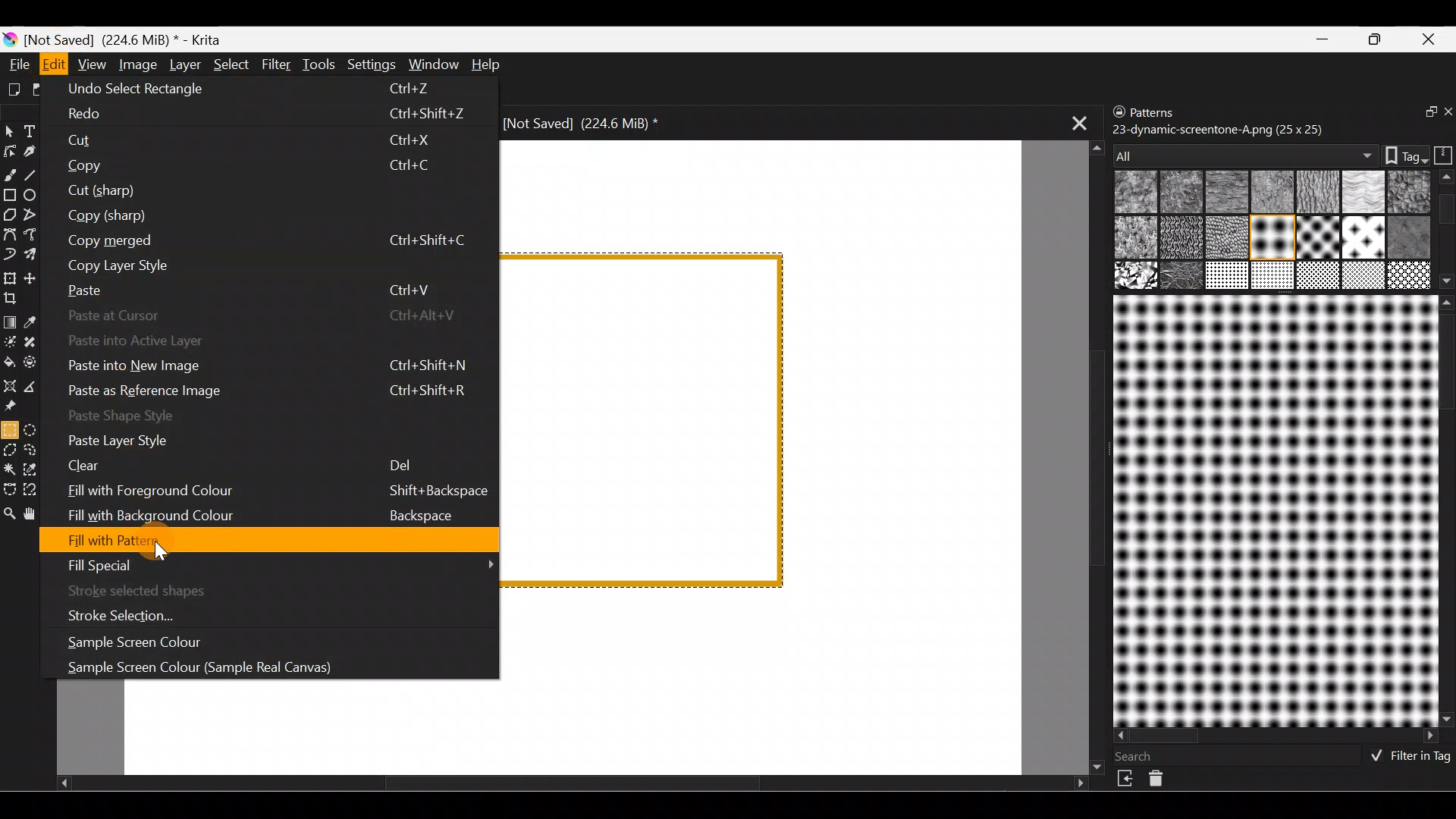 The height and width of the screenshot is (819, 1456). Describe the element at coordinates (136, 64) in the screenshot. I see `Image` at that location.